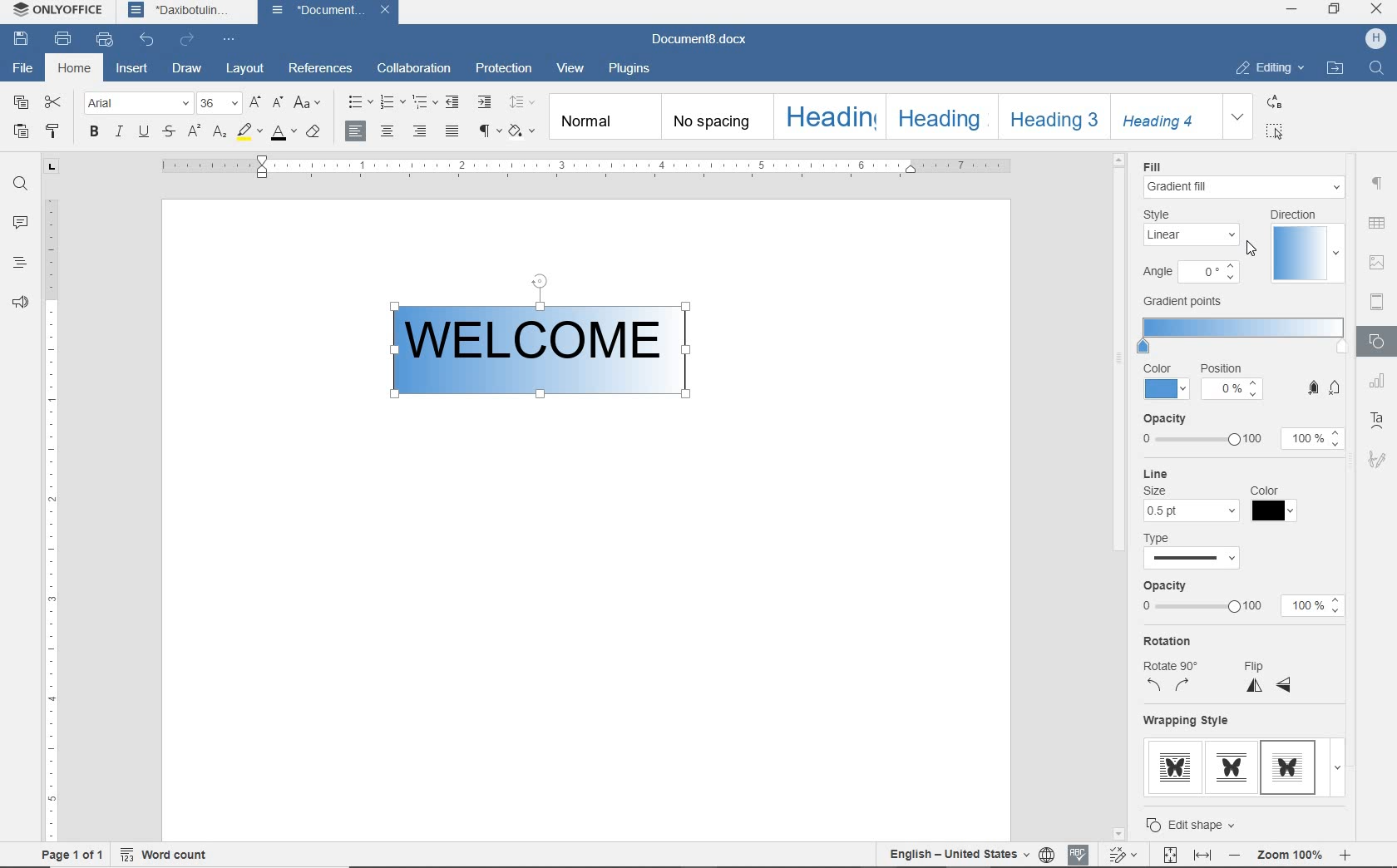 The image size is (1397, 868). Describe the element at coordinates (1164, 491) in the screenshot. I see `Size` at that location.